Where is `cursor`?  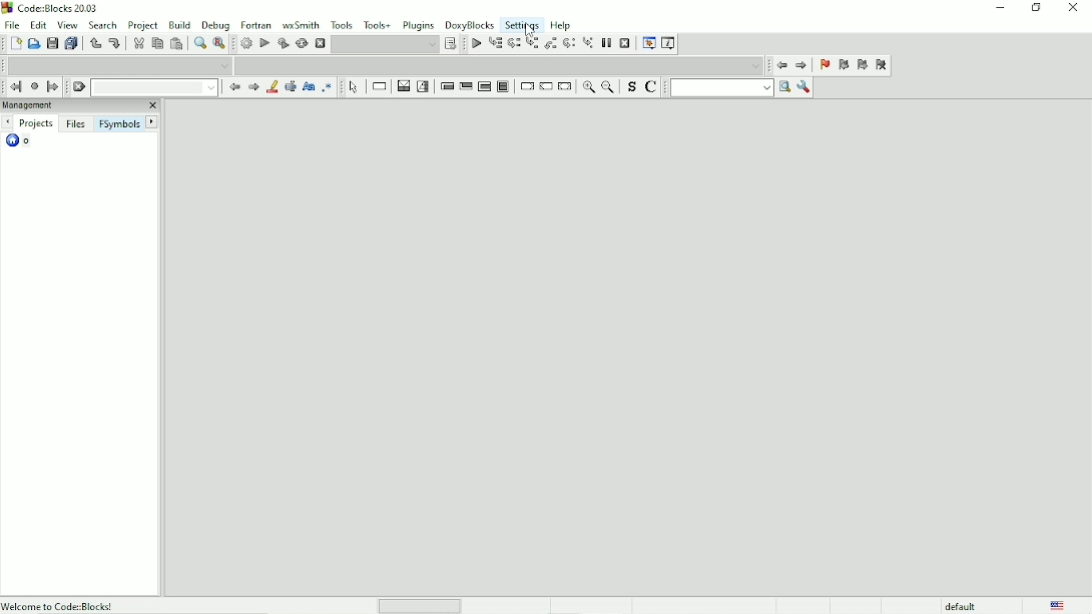 cursor is located at coordinates (531, 29).